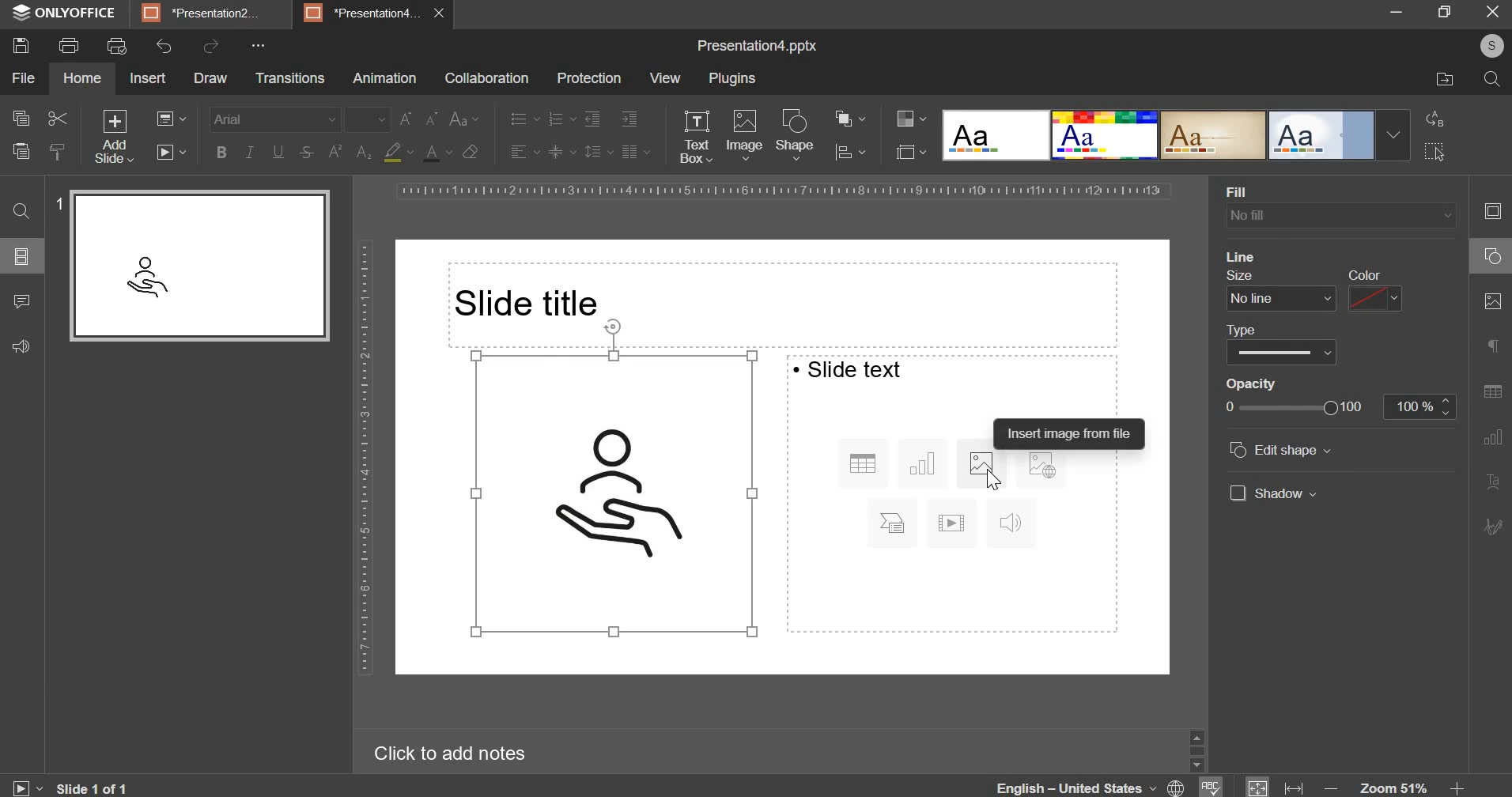  I want to click on bullets, so click(524, 119).